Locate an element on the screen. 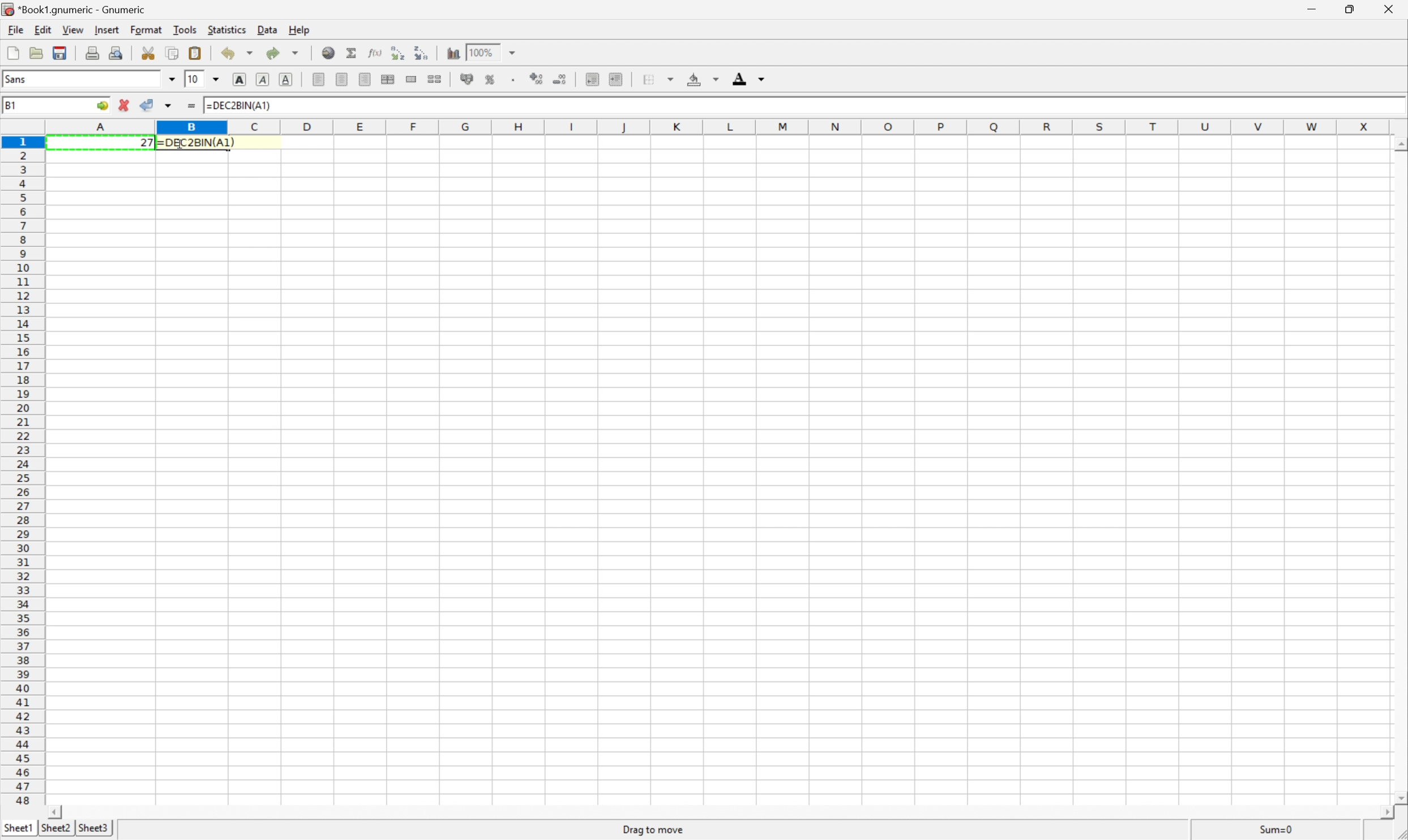  Edit is located at coordinates (41, 31).